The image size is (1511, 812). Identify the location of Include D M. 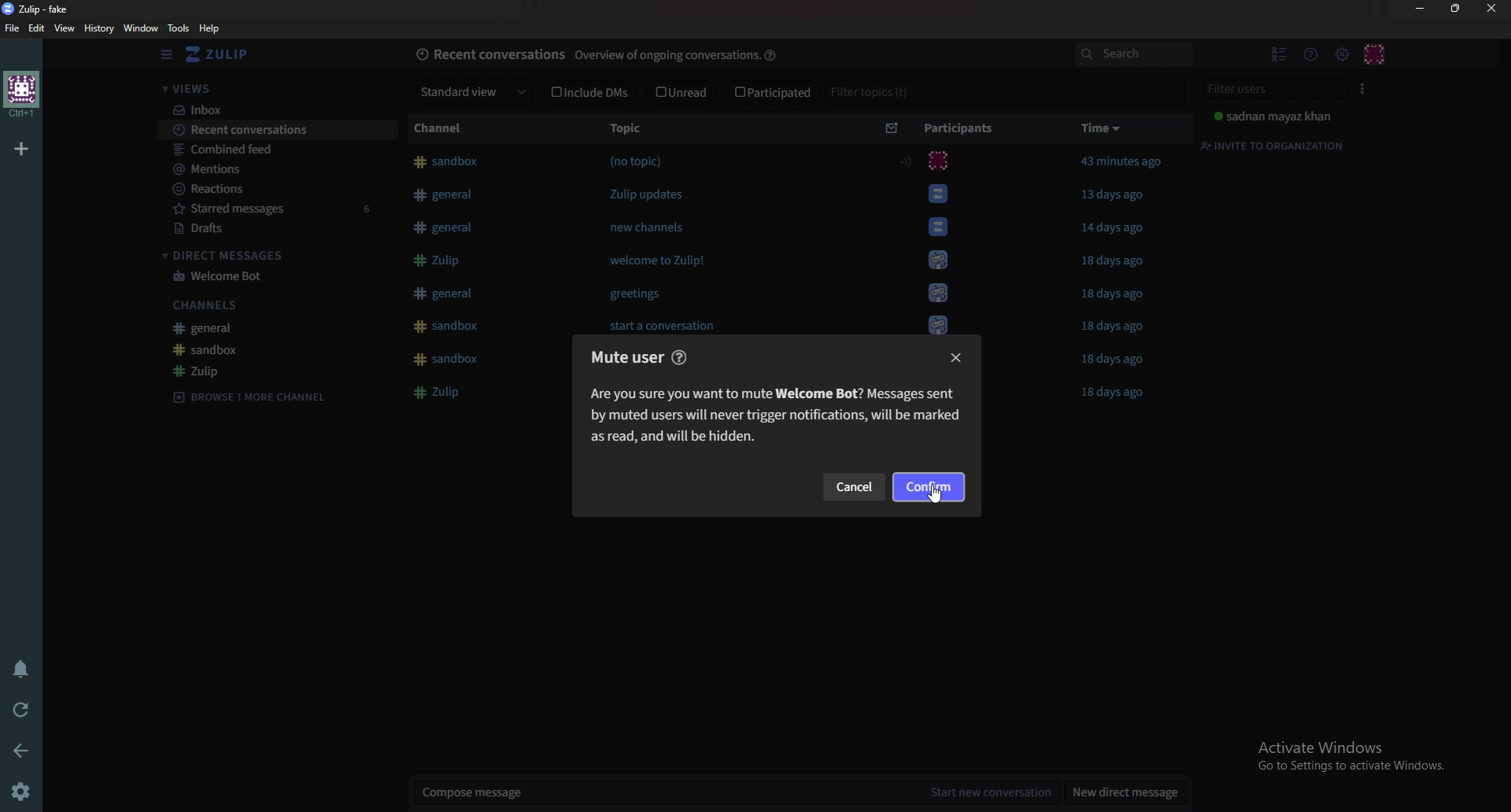
(589, 94).